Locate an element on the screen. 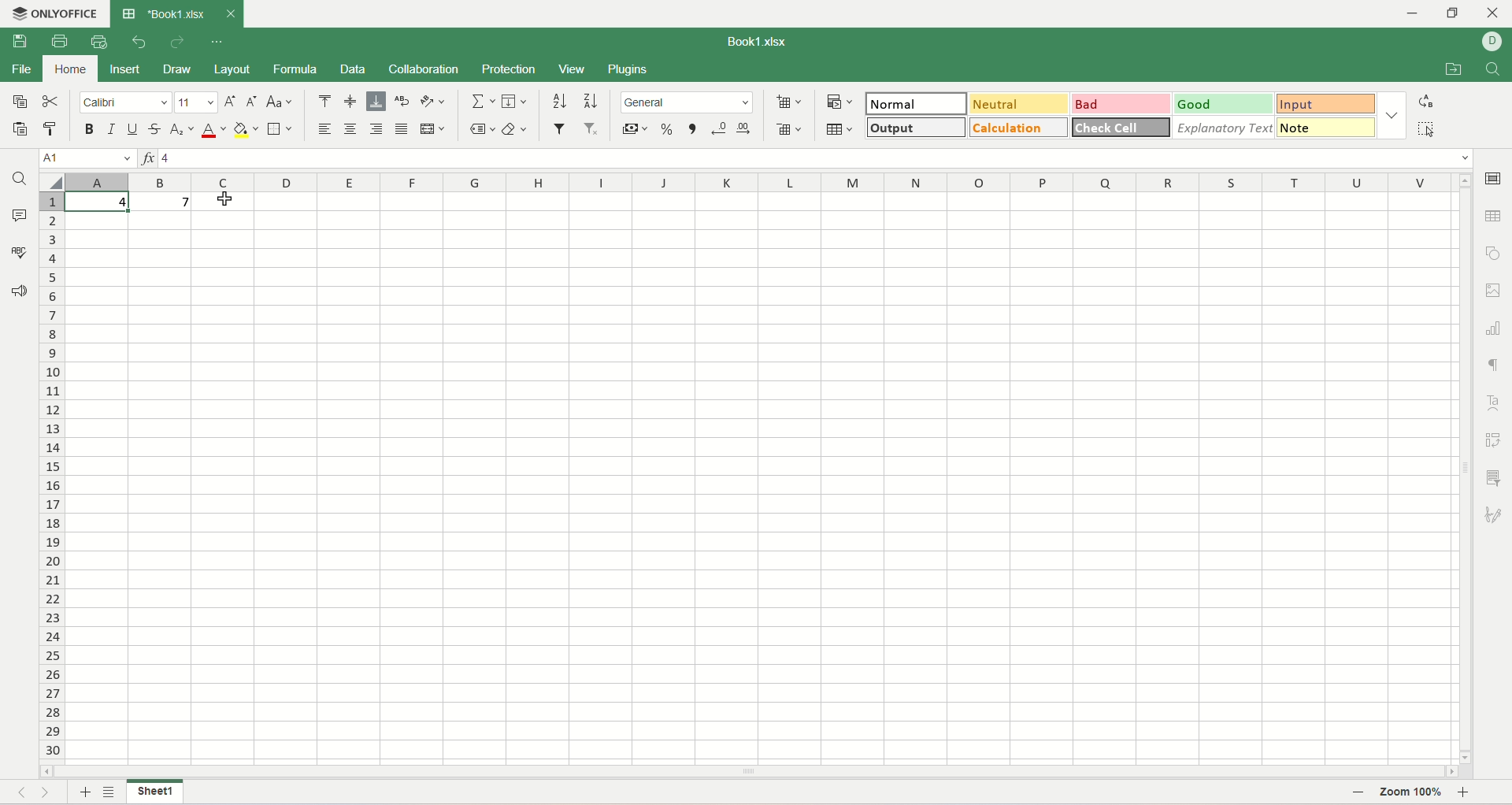 This screenshot has height=805, width=1512. normal is located at coordinates (916, 103).